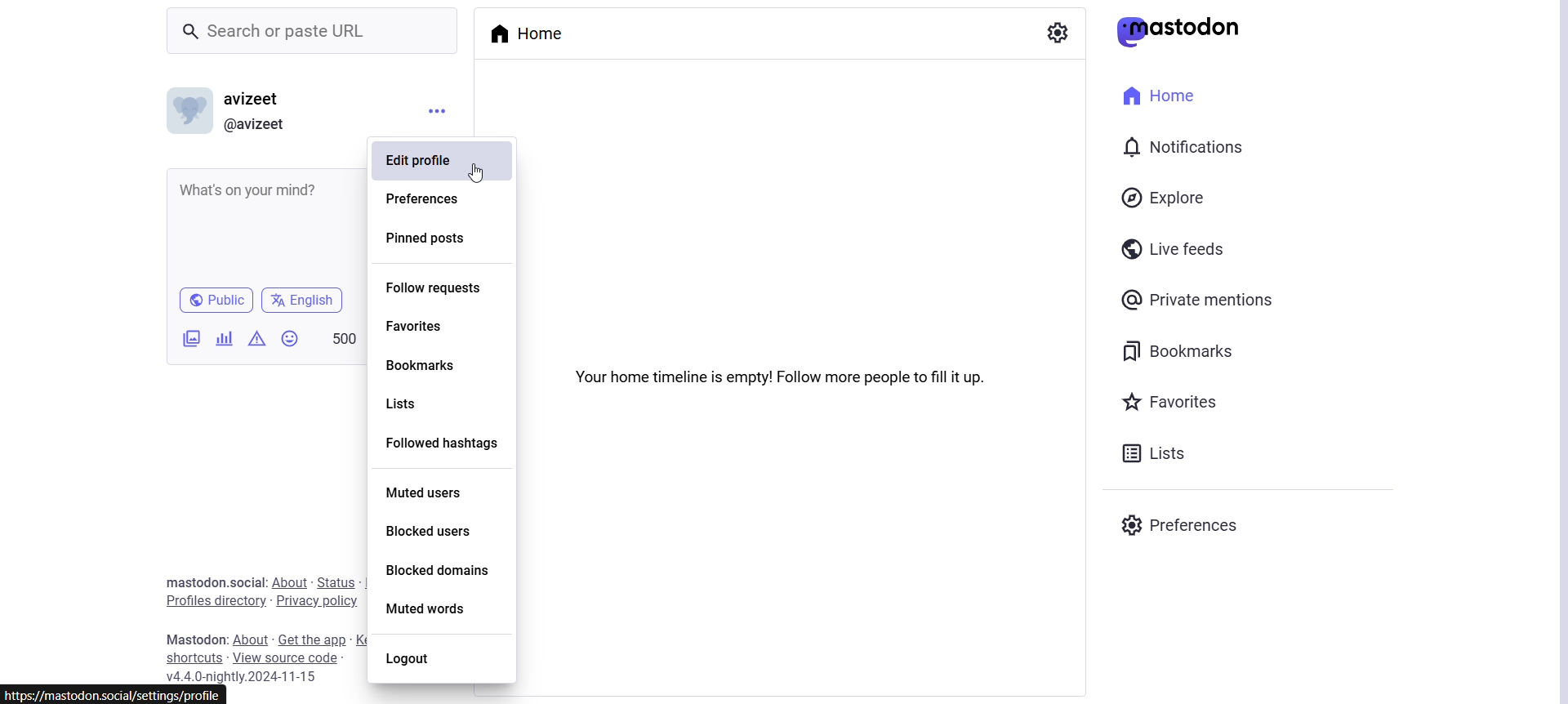 The height and width of the screenshot is (704, 1568). What do you see at coordinates (1183, 31) in the screenshot?
I see `Mastodon` at bounding box center [1183, 31].